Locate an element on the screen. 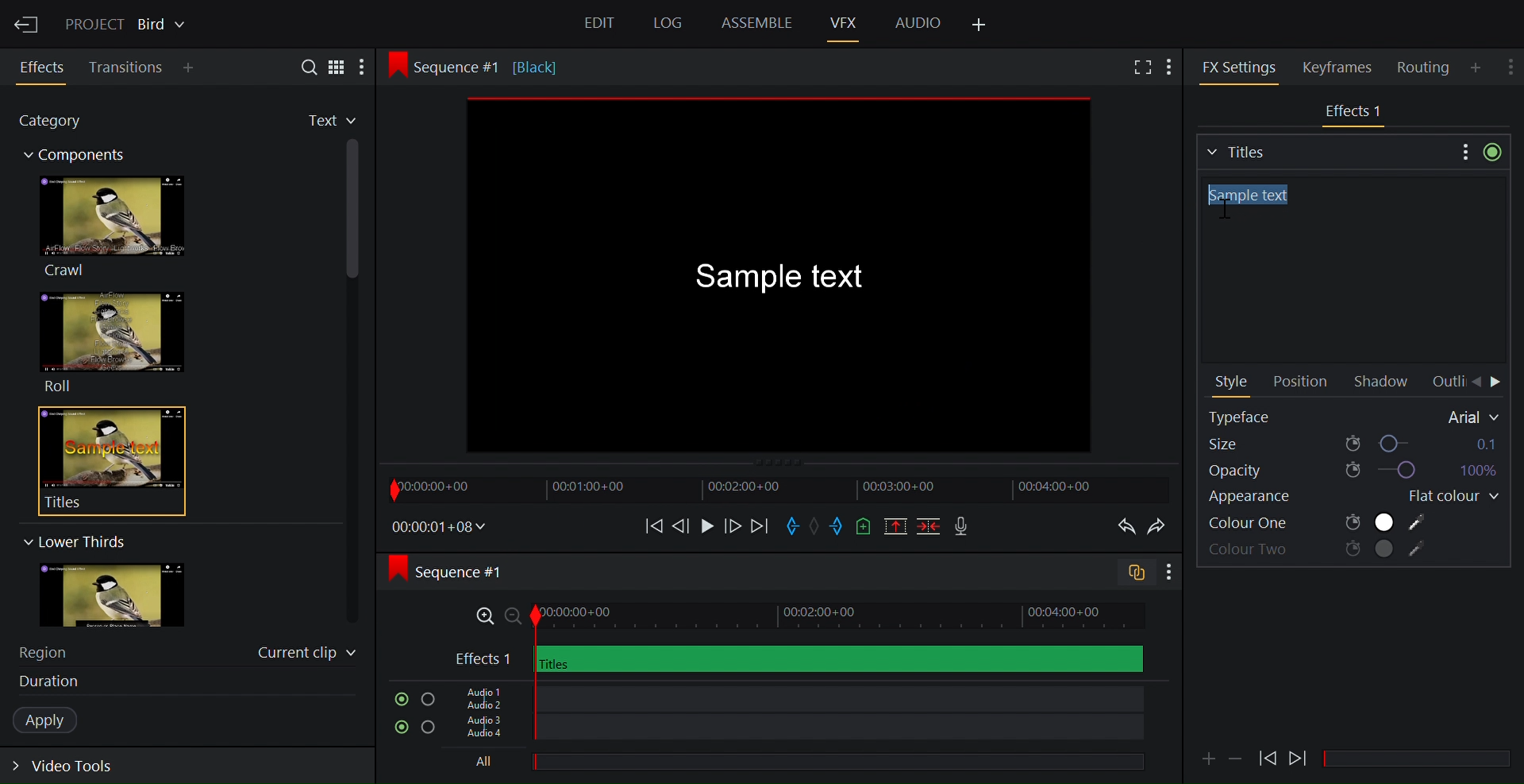 This screenshot has height=784, width=1524. Zoom Timeline is located at coordinates (799, 617).